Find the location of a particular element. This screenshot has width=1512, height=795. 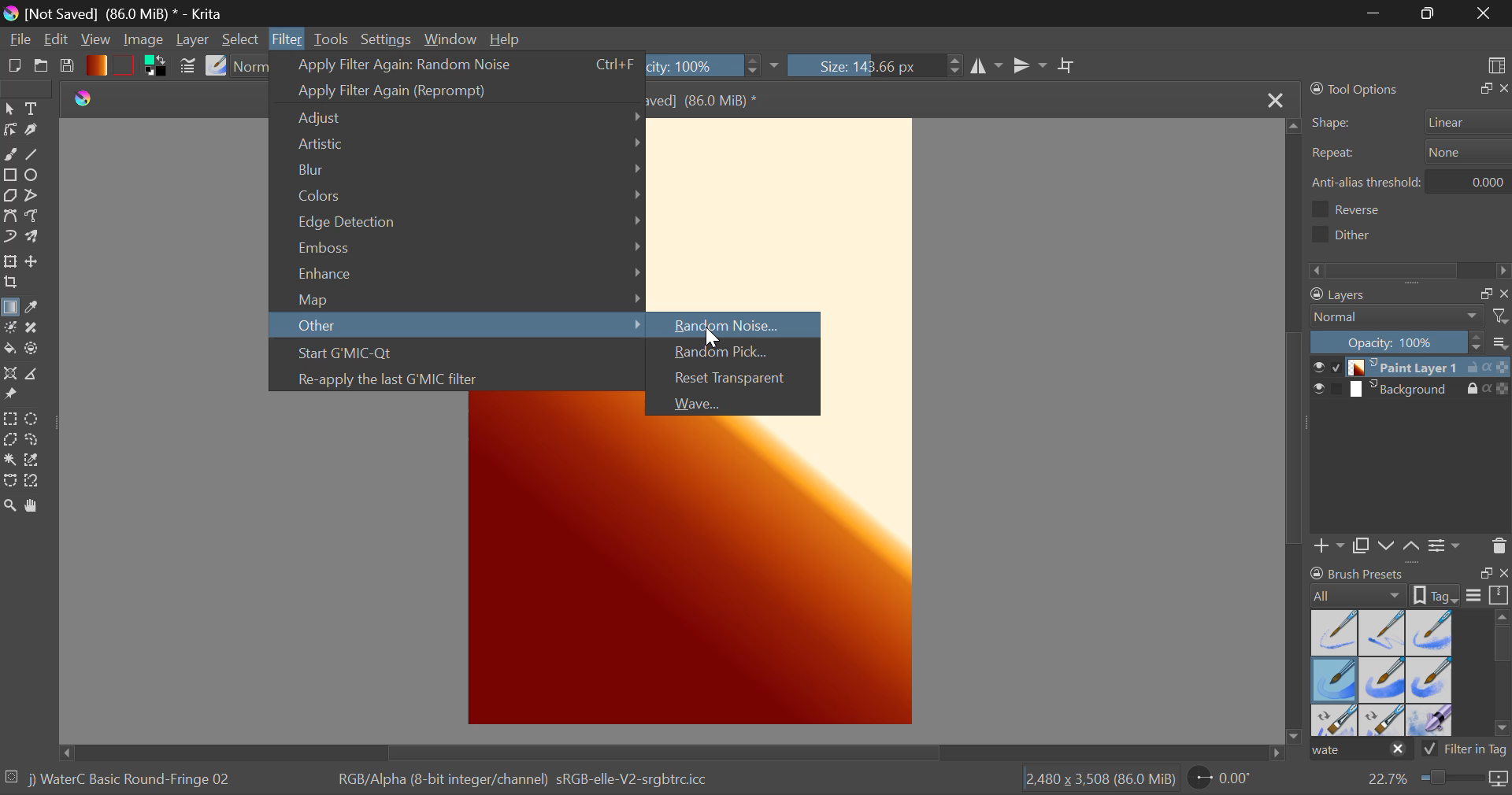

Help is located at coordinates (506, 37).